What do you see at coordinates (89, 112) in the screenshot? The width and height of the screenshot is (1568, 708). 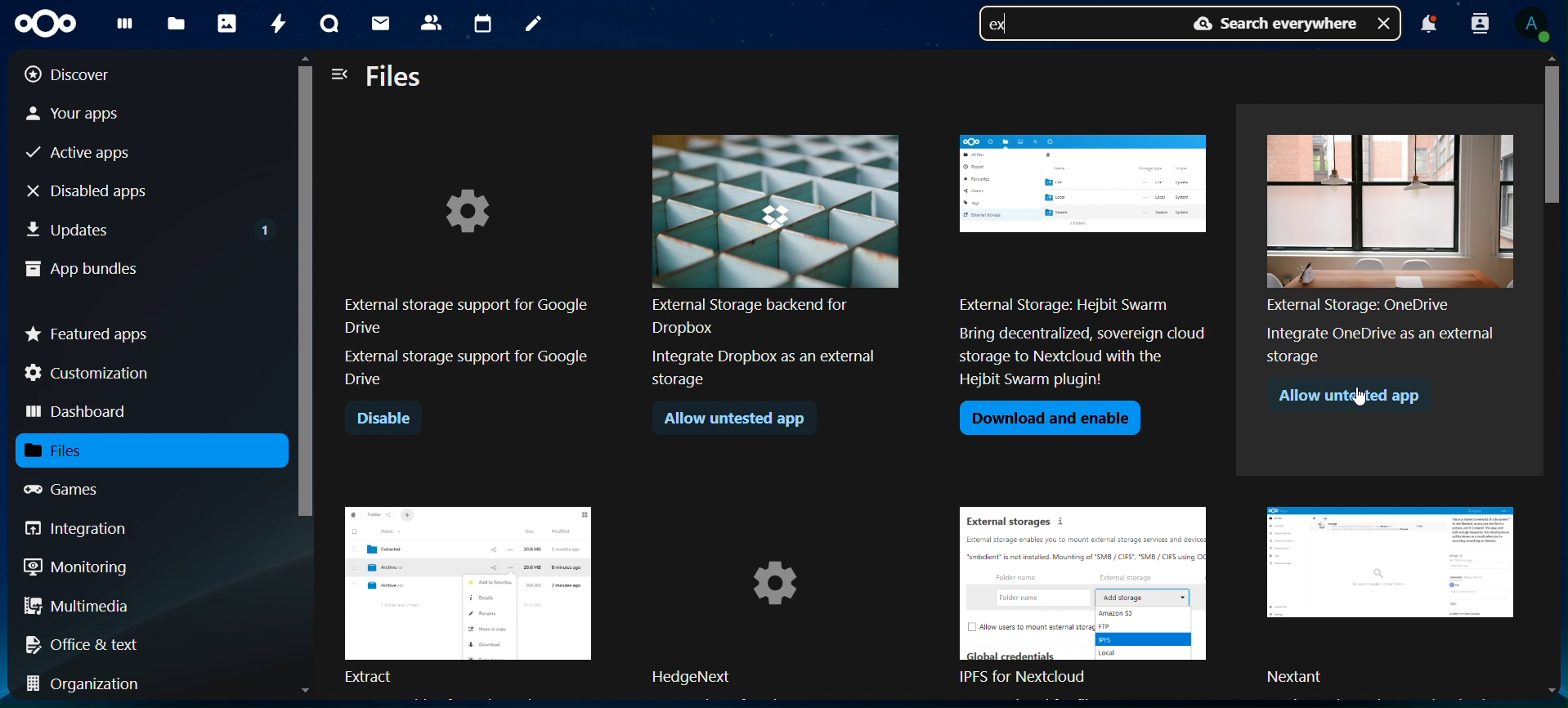 I see `your apps` at bounding box center [89, 112].